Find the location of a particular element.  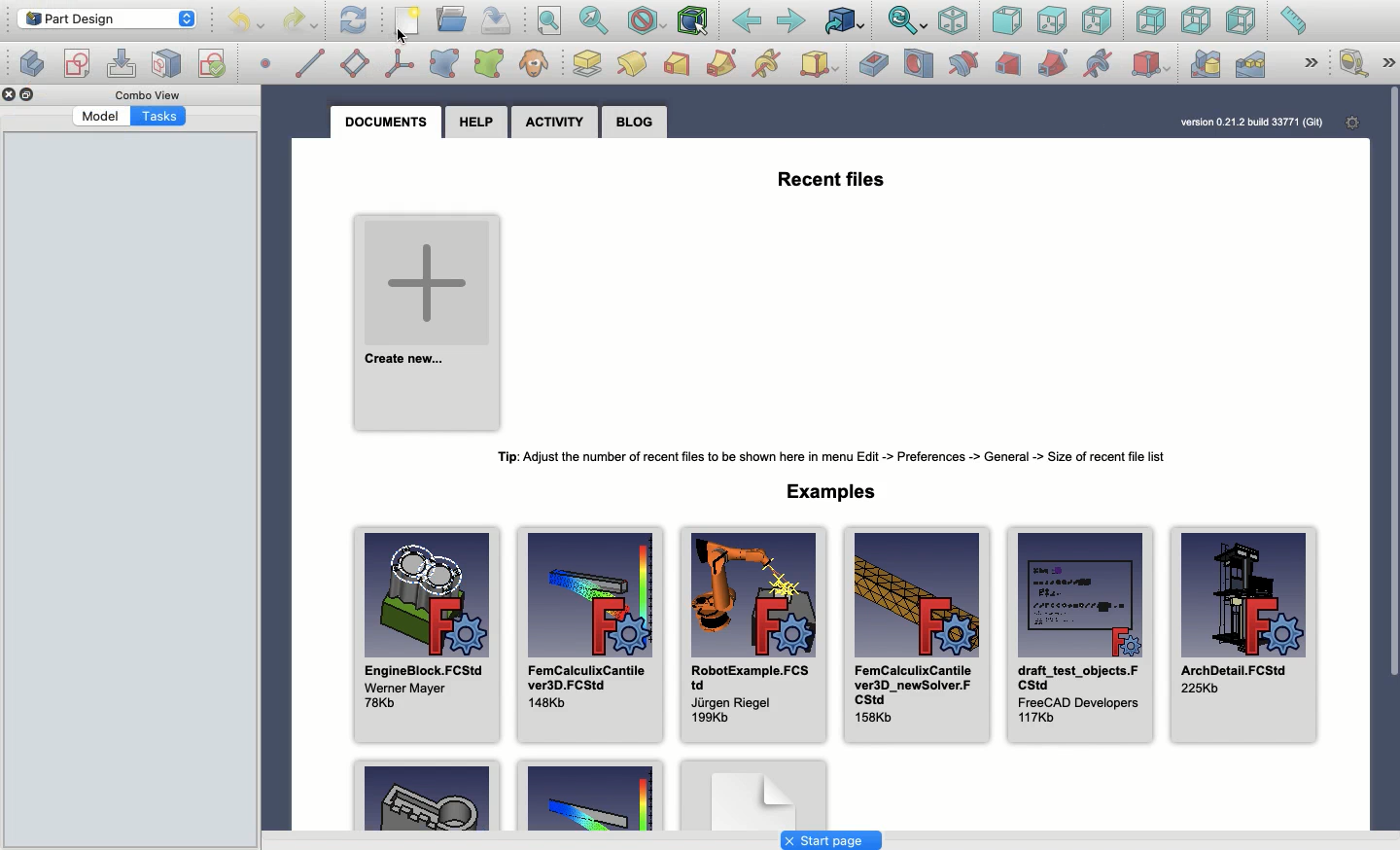

Recent files is located at coordinates (831, 174).